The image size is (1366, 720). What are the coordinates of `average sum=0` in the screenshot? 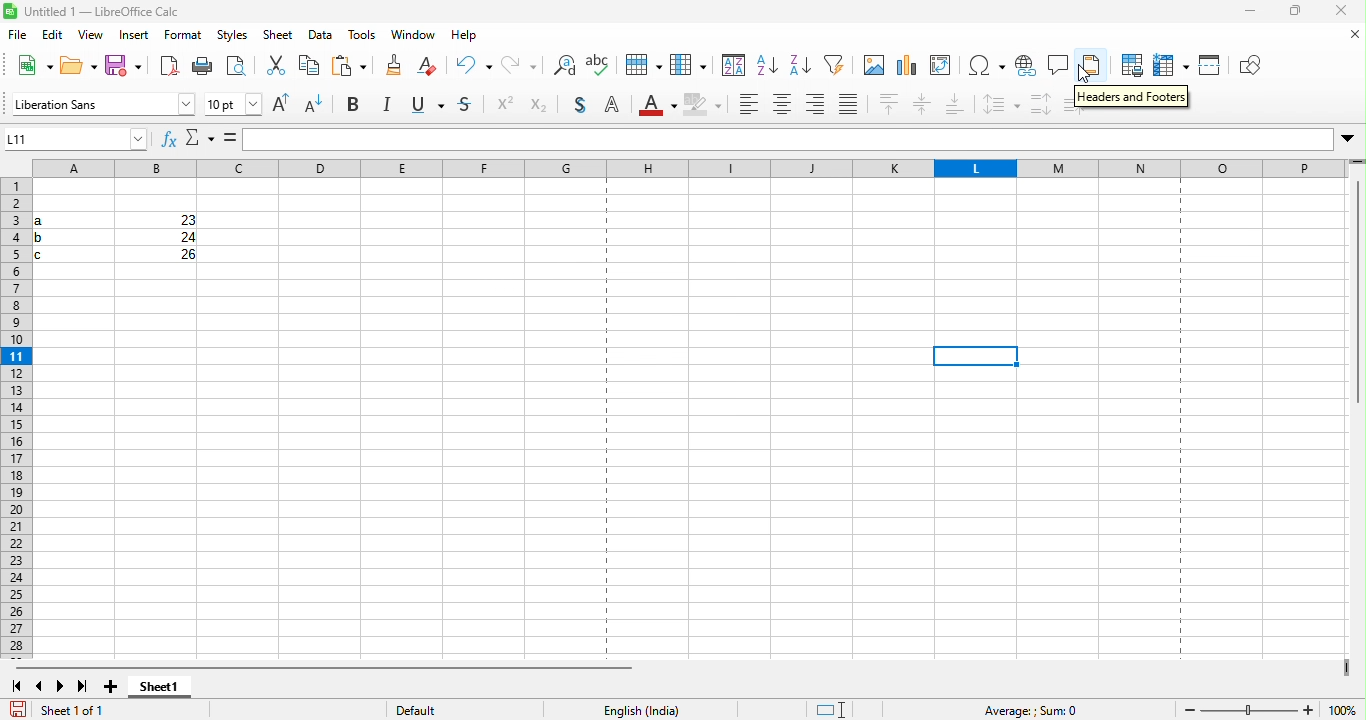 It's located at (1027, 708).